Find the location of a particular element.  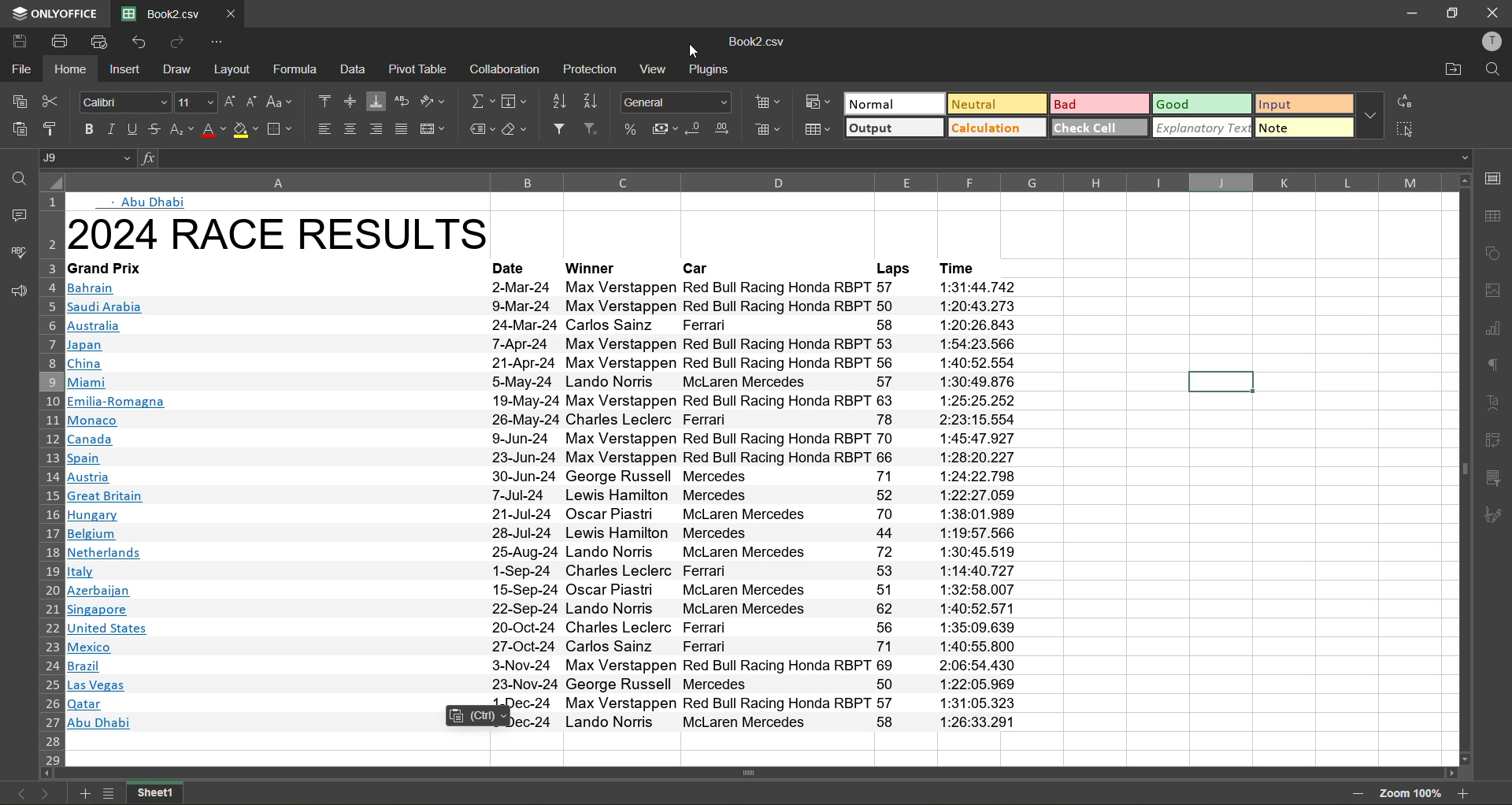

neutral is located at coordinates (999, 104).